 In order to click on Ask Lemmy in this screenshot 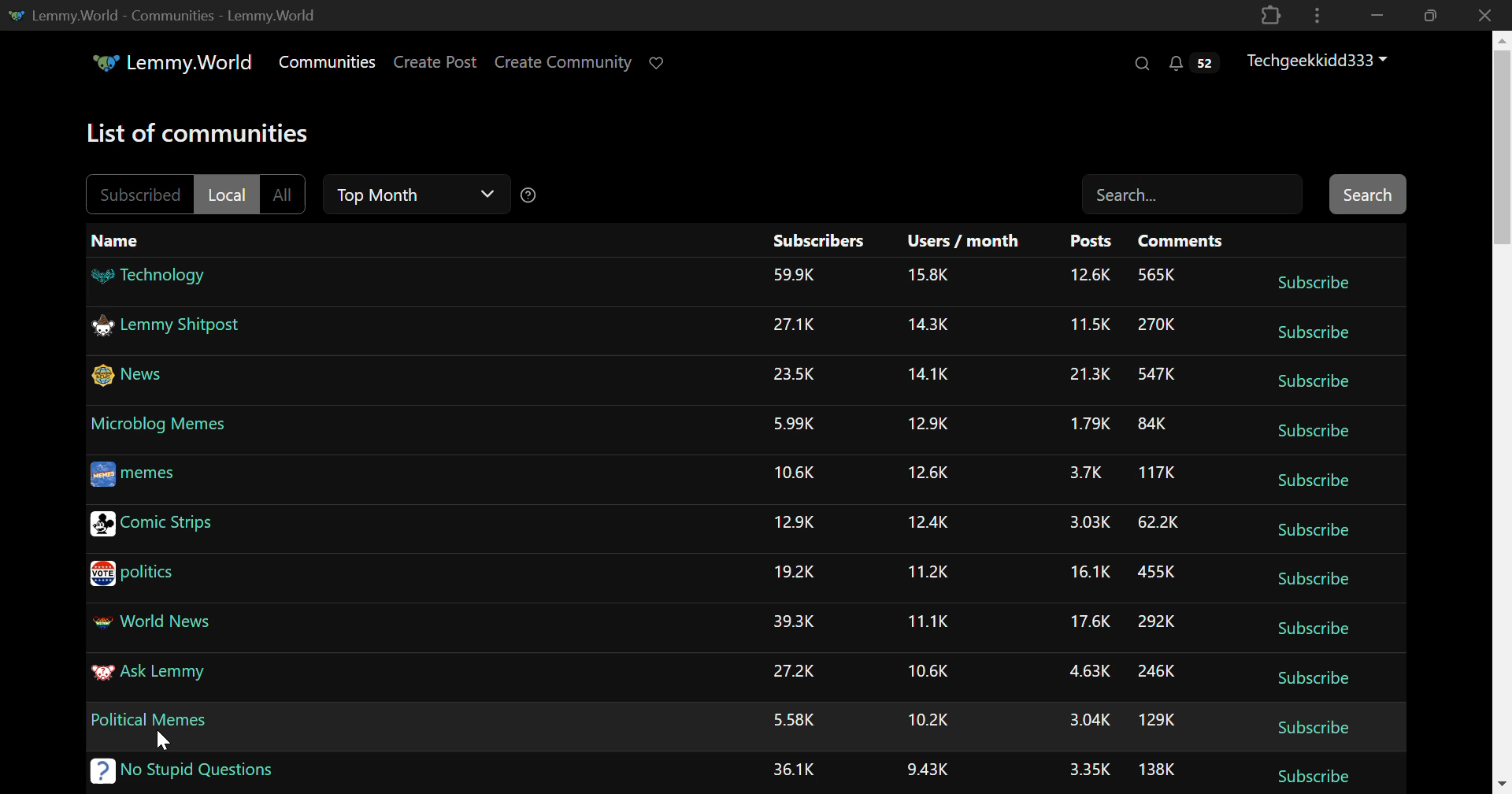, I will do `click(151, 677)`.